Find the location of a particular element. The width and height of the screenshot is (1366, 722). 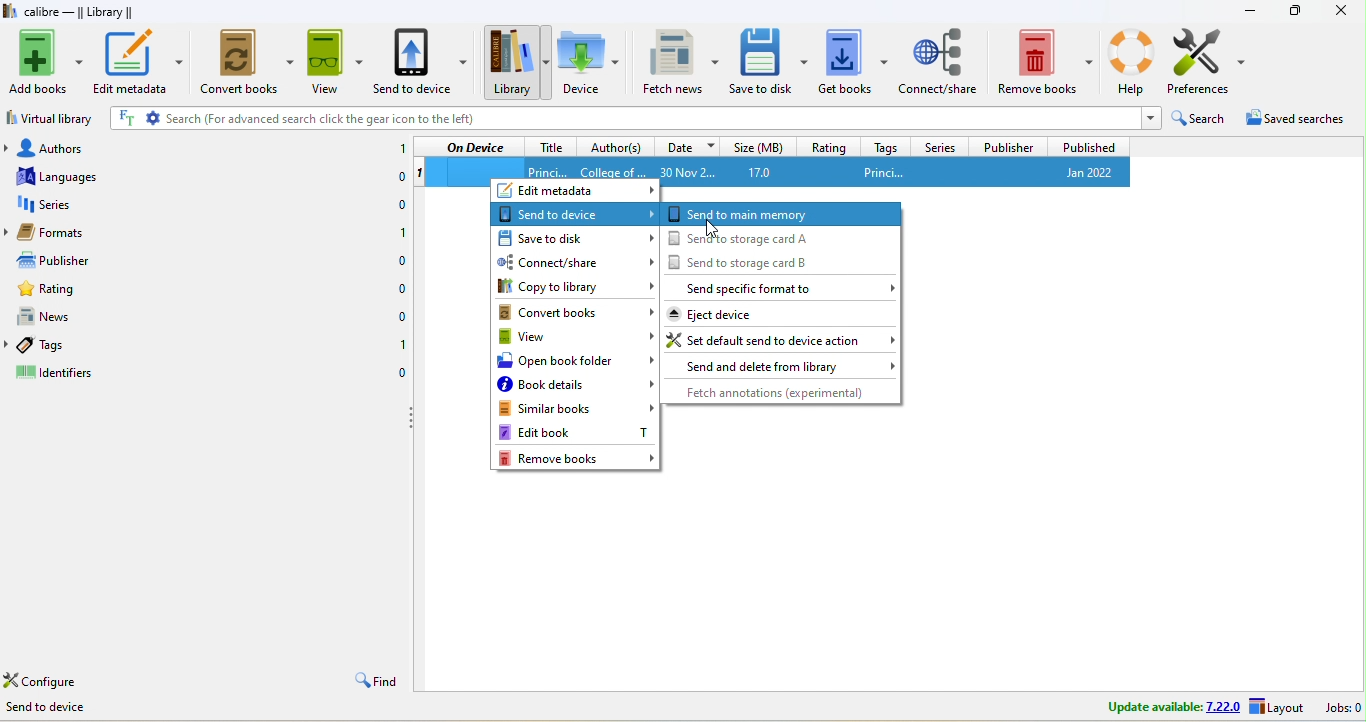

0 is located at coordinates (400, 262).